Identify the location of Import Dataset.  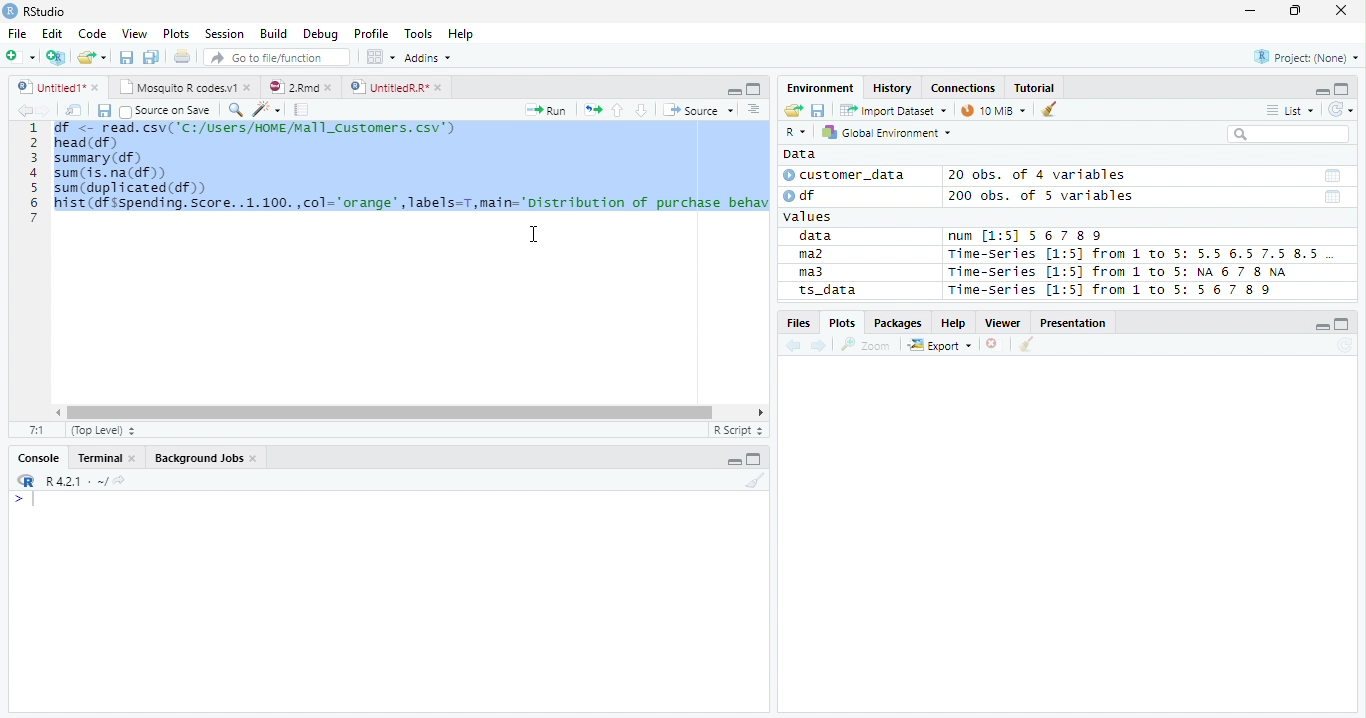
(891, 110).